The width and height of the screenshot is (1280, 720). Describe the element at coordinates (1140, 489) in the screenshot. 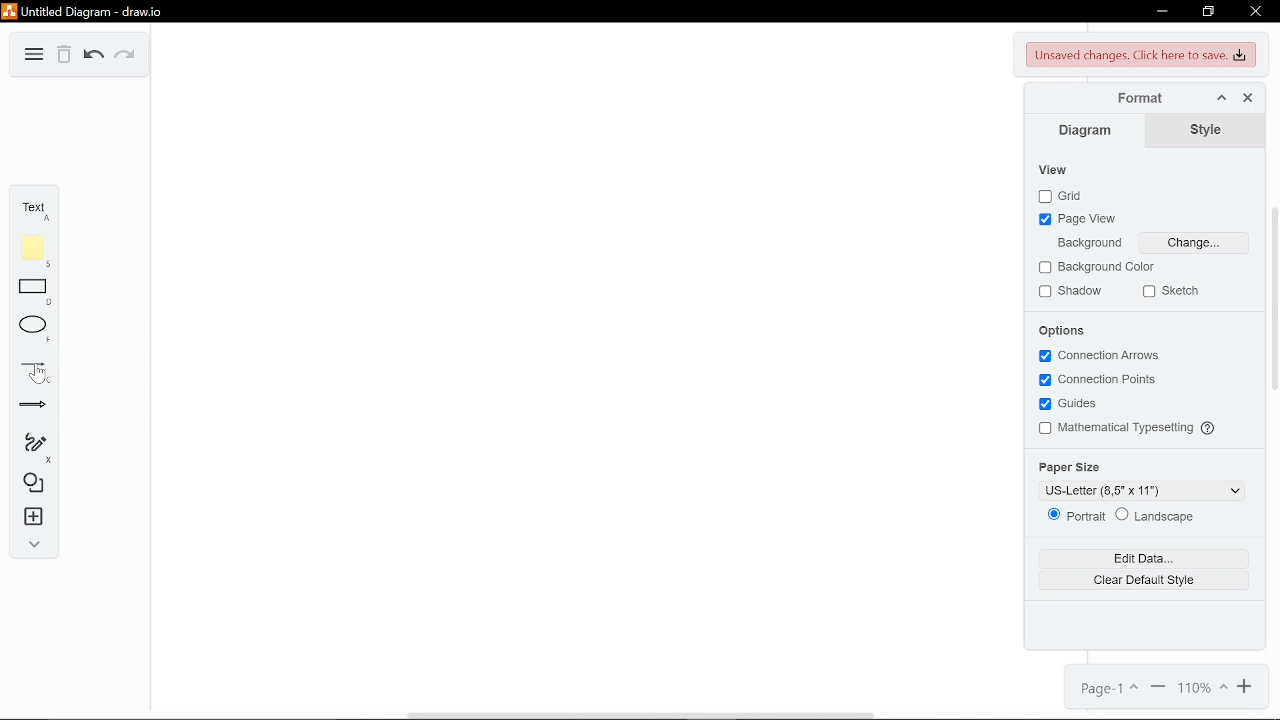

I see `Change Paper size` at that location.